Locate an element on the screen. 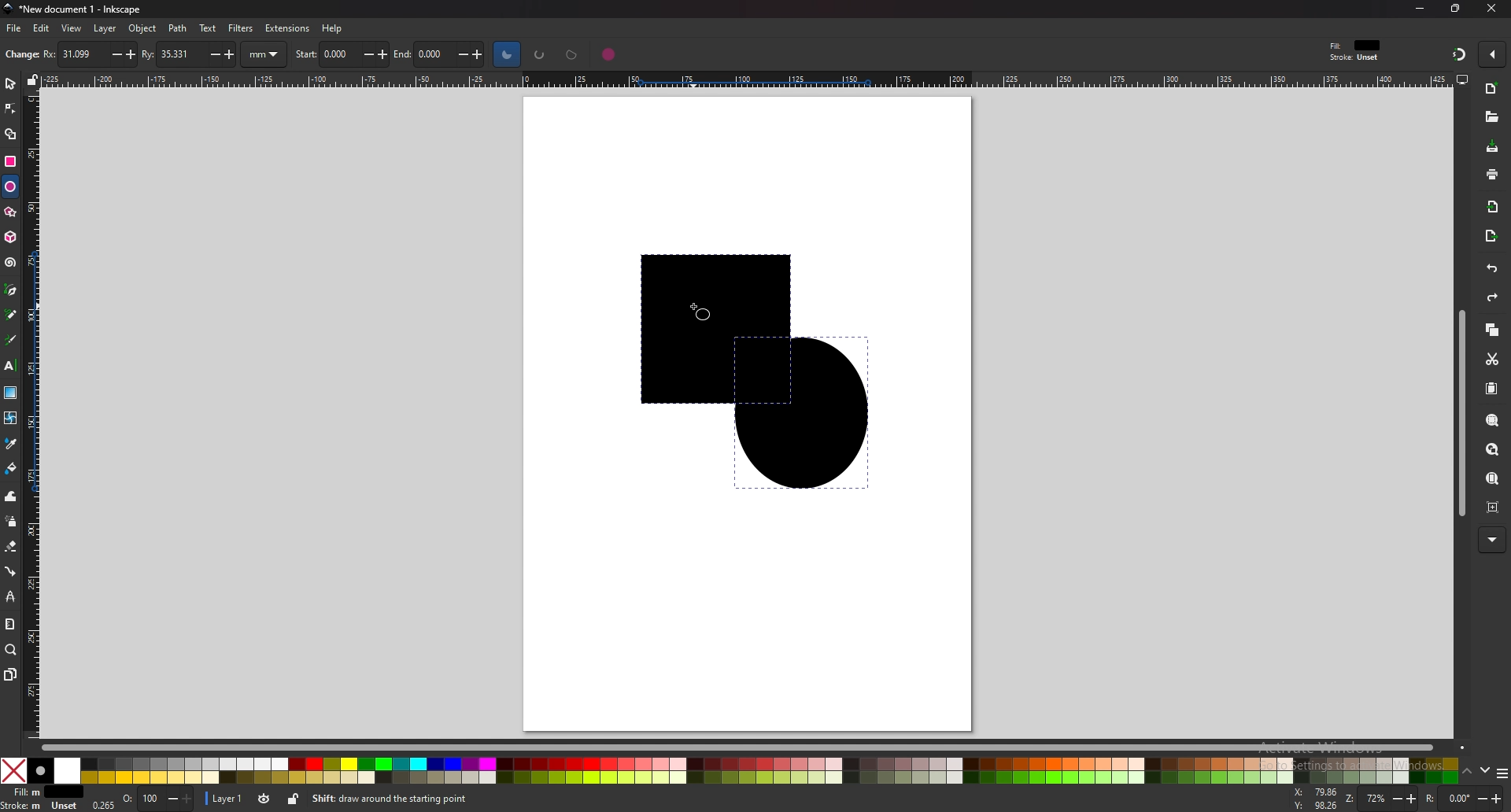 The width and height of the screenshot is (1511, 812). scroll bar is located at coordinates (743, 746).